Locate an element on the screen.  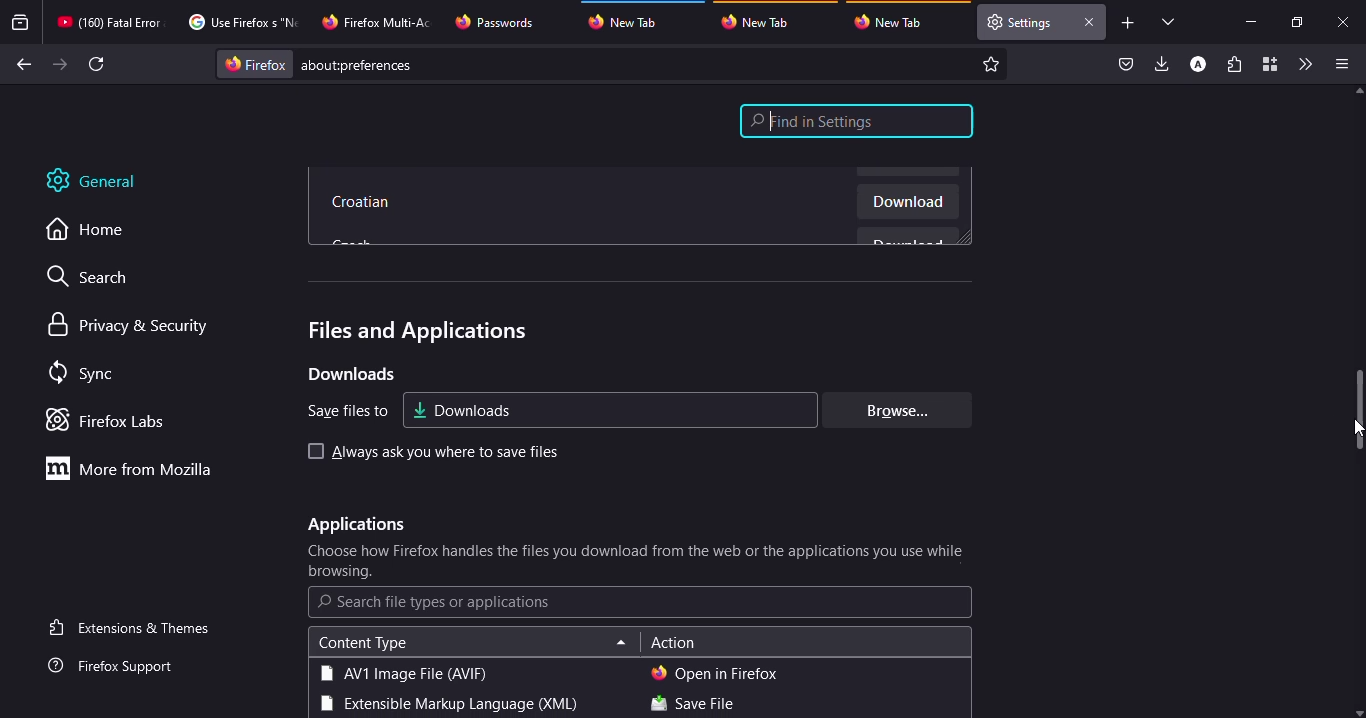
tab is located at coordinates (1021, 22).